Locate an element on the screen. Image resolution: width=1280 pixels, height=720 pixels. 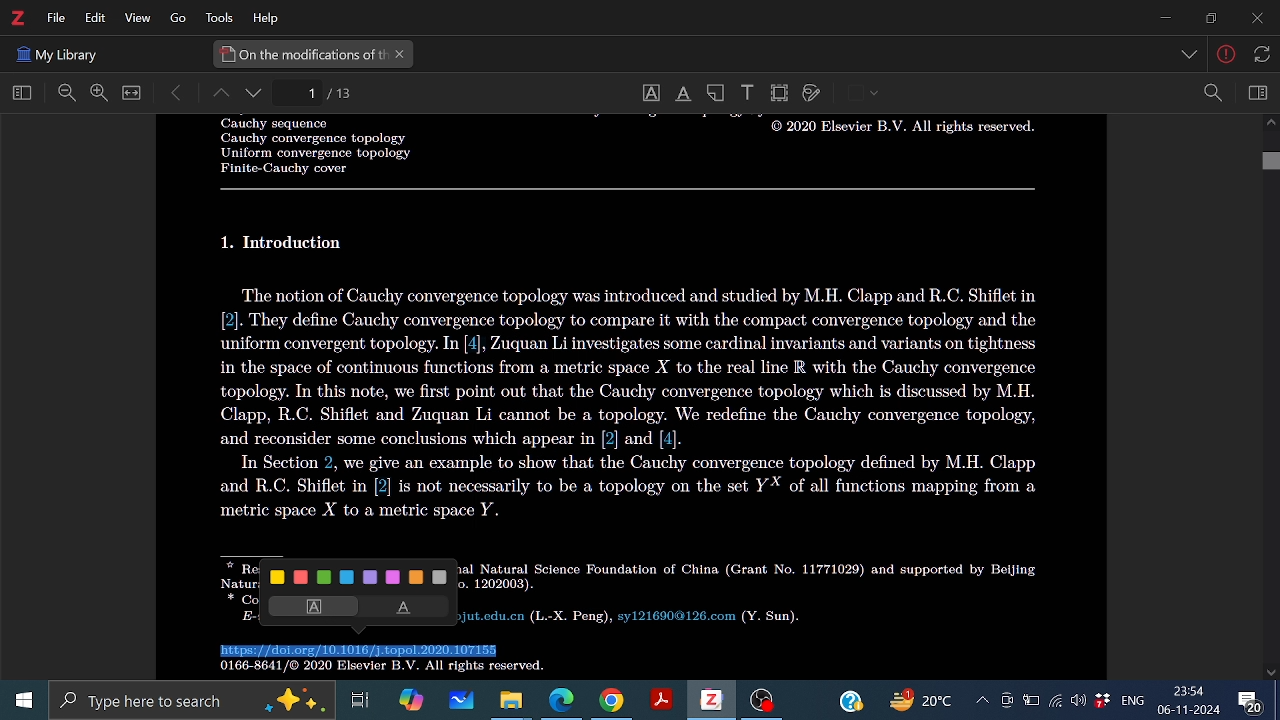
Restore down is located at coordinates (1208, 18).